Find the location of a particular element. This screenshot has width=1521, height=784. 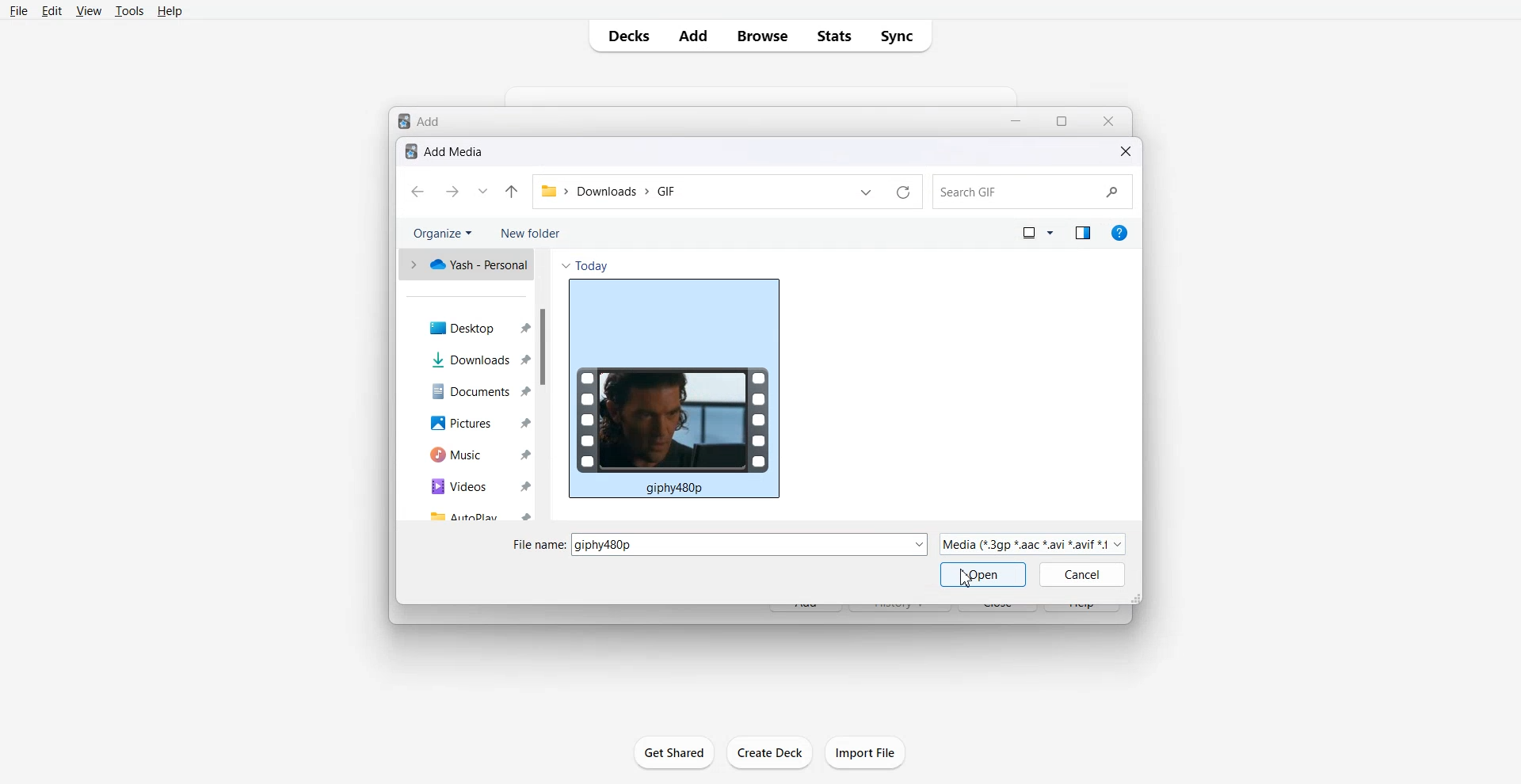

Show the preview method is located at coordinates (1081, 232).